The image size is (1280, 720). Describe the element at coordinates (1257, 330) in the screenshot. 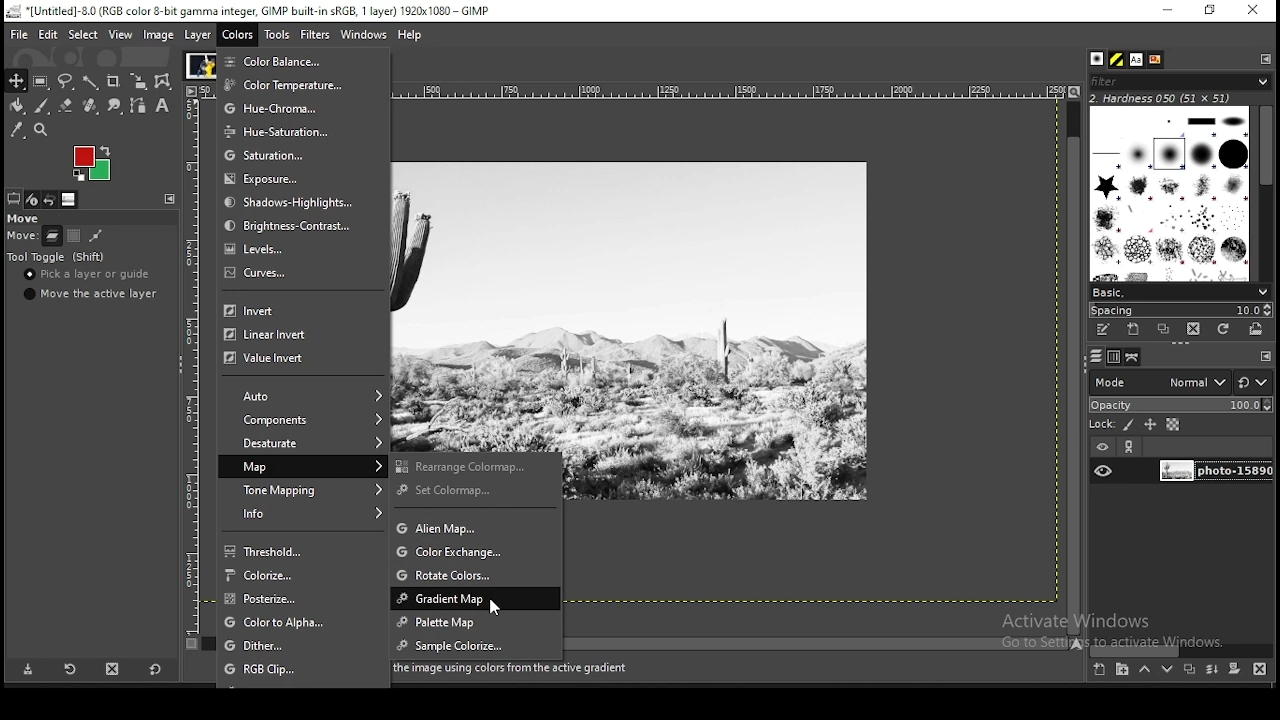

I see `open brush as image` at that location.